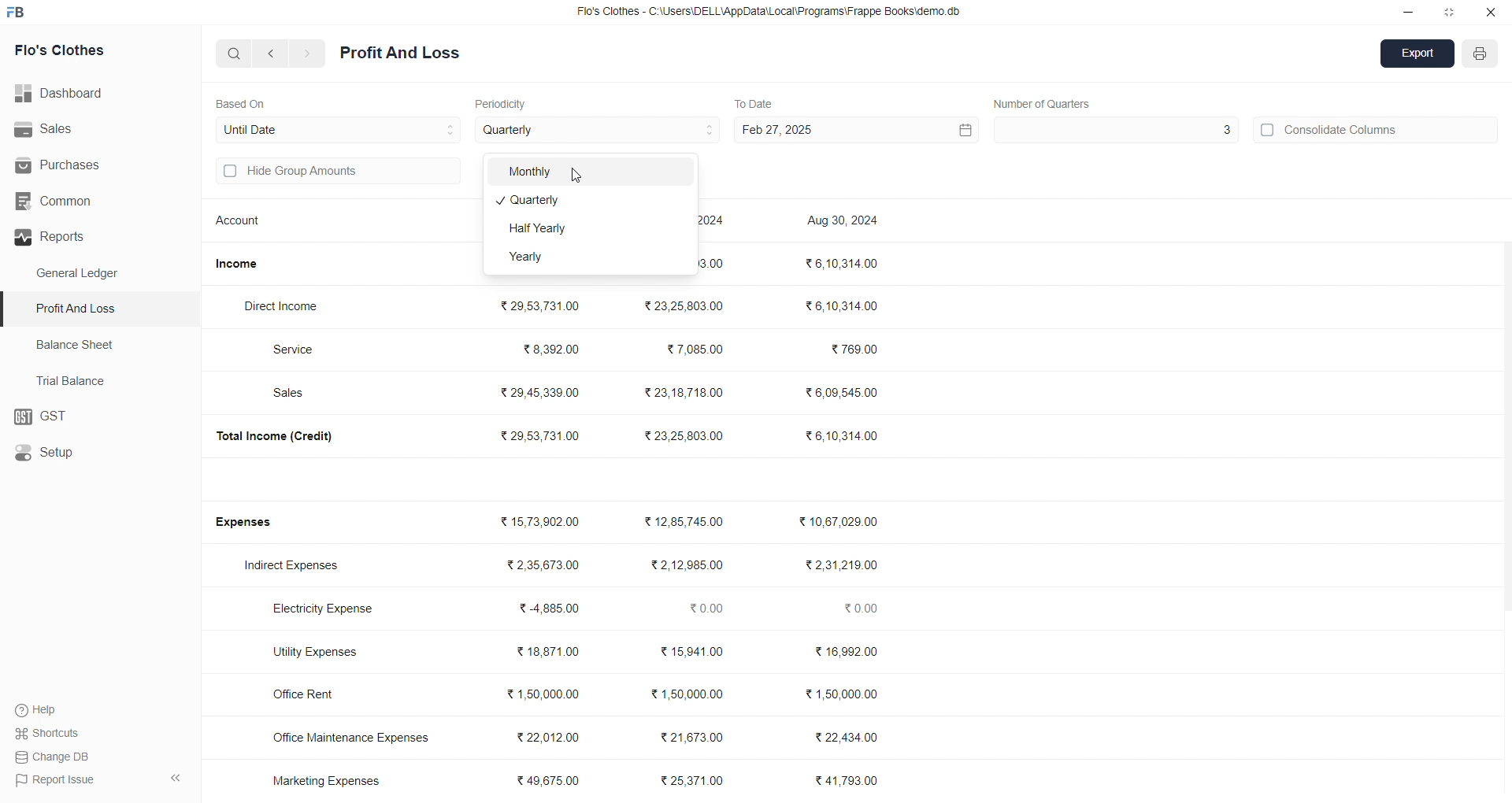 The image size is (1512, 803). Describe the element at coordinates (850, 781) in the screenshot. I see `₹41,793.00` at that location.